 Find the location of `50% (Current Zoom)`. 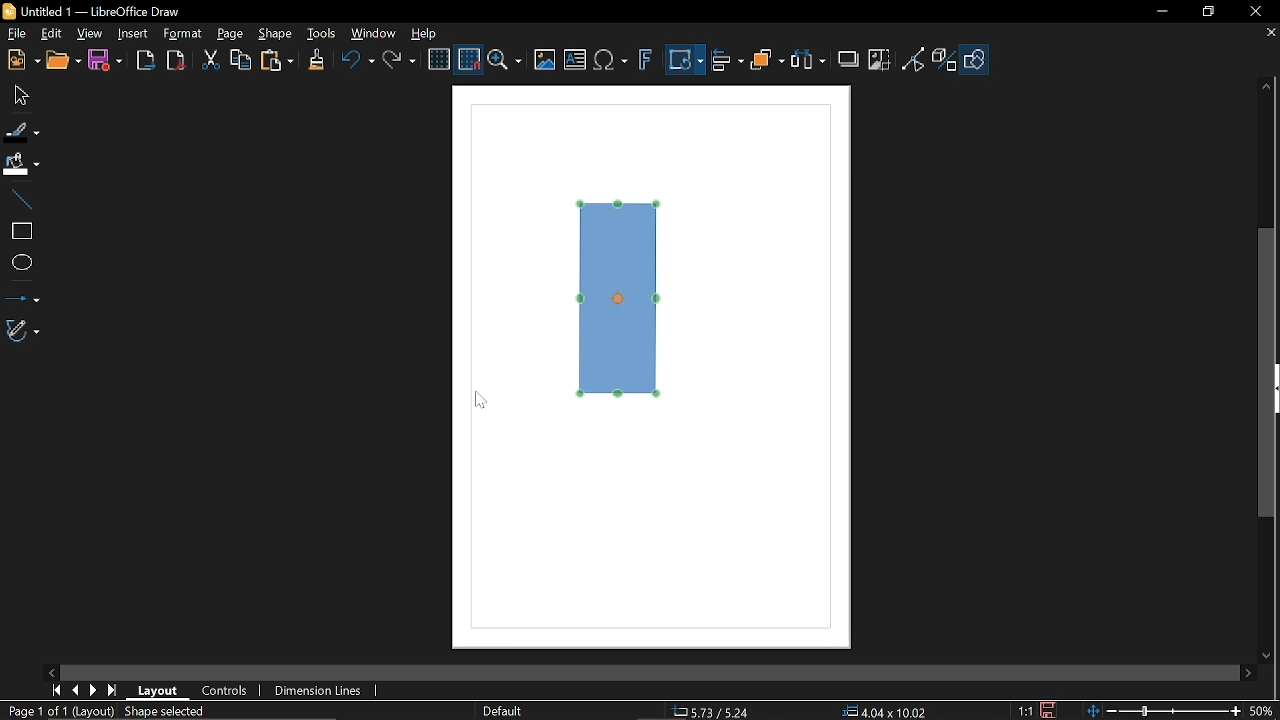

50% (Current Zoom) is located at coordinates (1265, 709).